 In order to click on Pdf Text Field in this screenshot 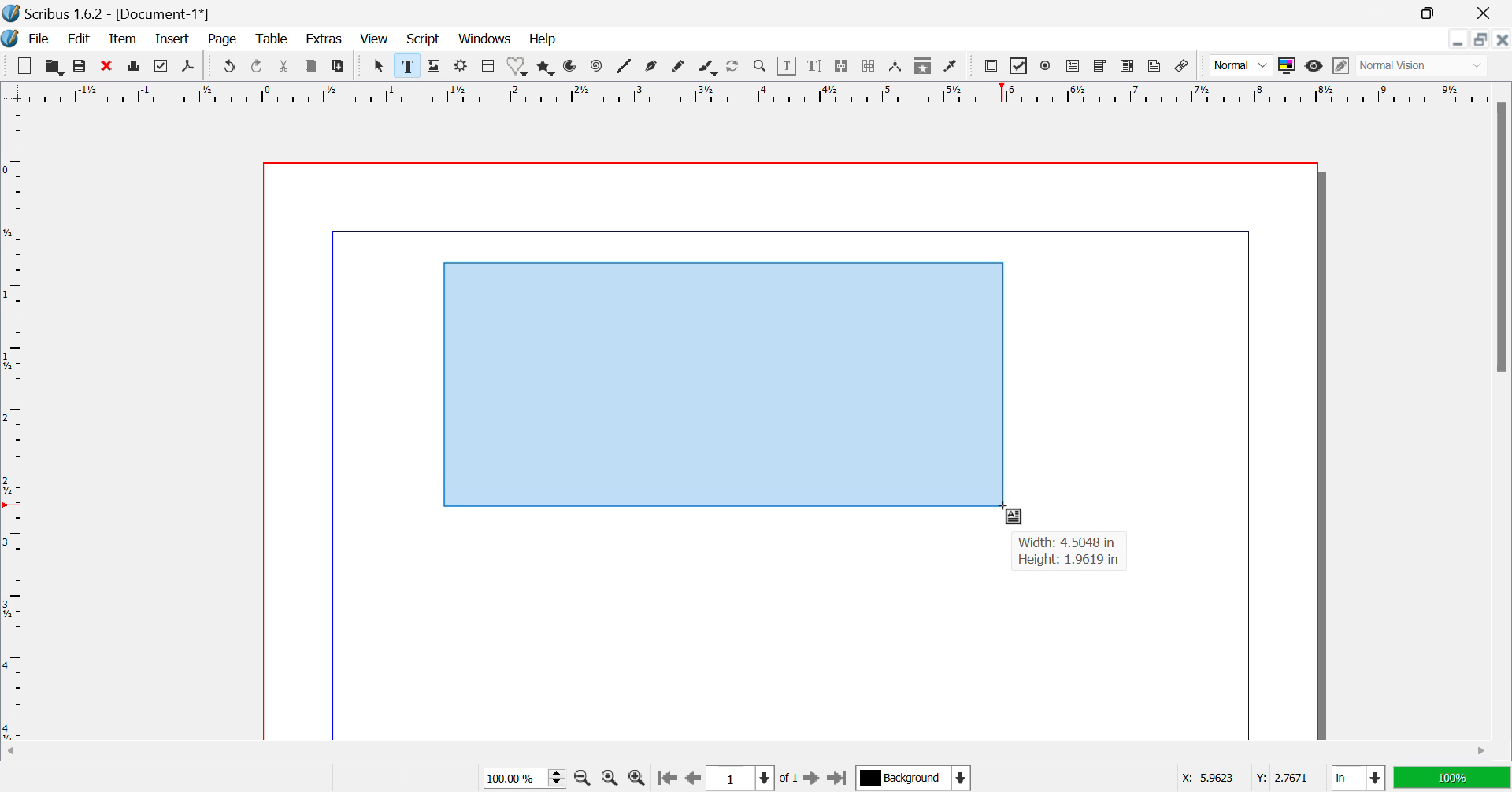, I will do `click(1074, 68)`.